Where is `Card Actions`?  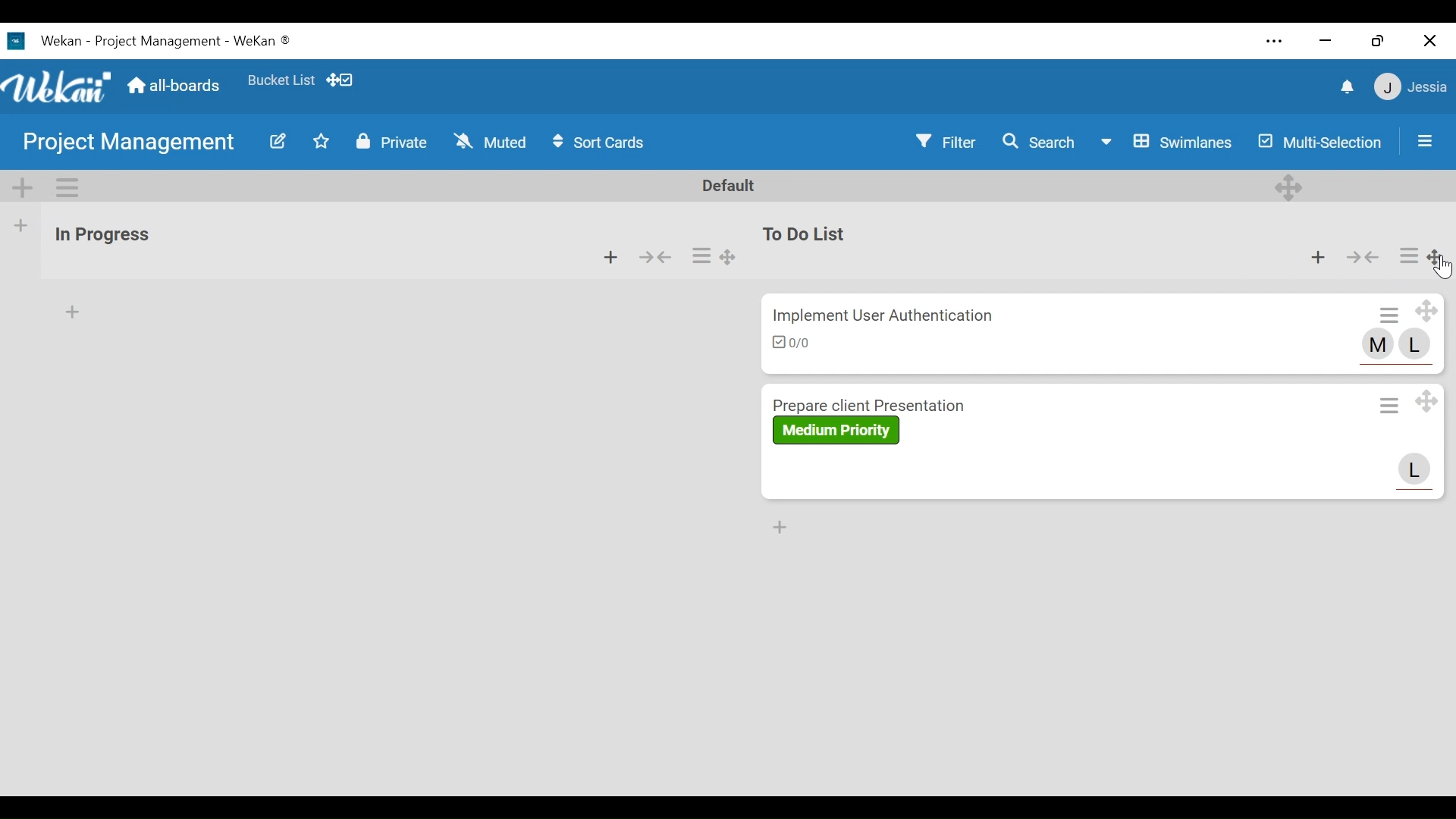 Card Actions is located at coordinates (1387, 404).